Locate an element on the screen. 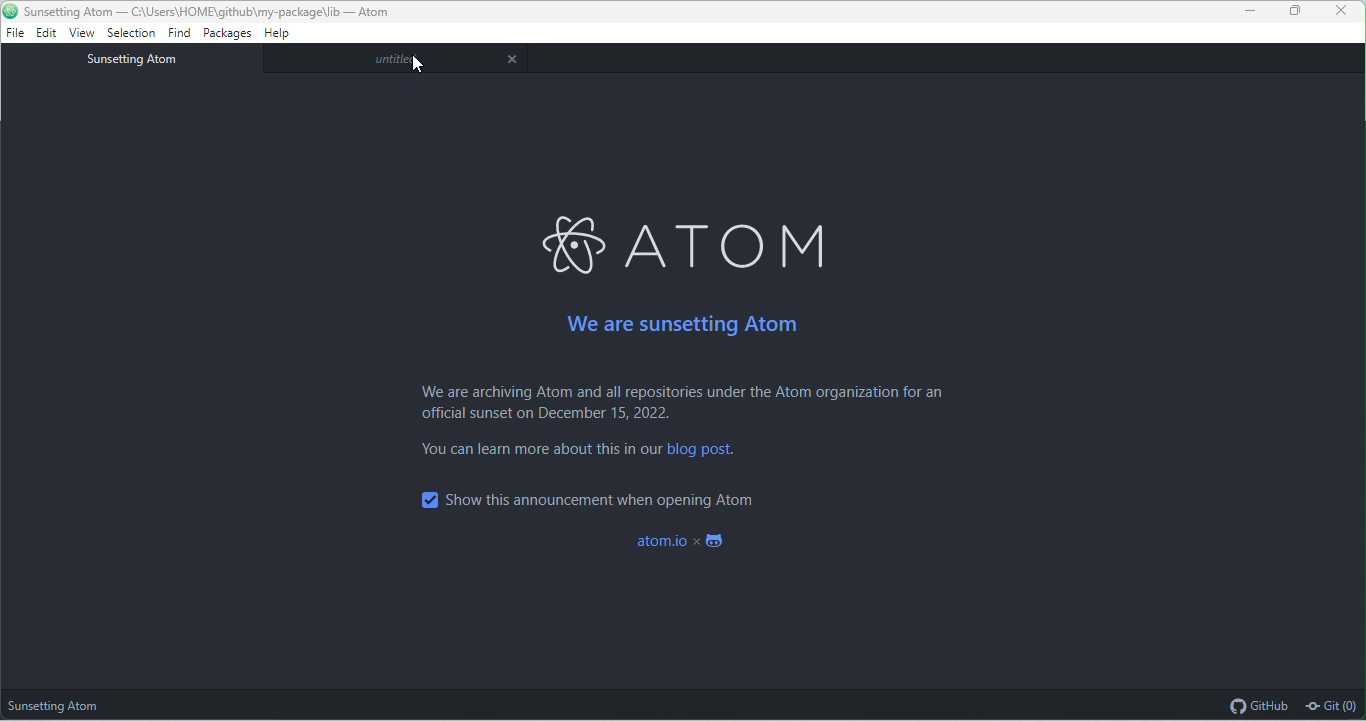  edit is located at coordinates (47, 33).